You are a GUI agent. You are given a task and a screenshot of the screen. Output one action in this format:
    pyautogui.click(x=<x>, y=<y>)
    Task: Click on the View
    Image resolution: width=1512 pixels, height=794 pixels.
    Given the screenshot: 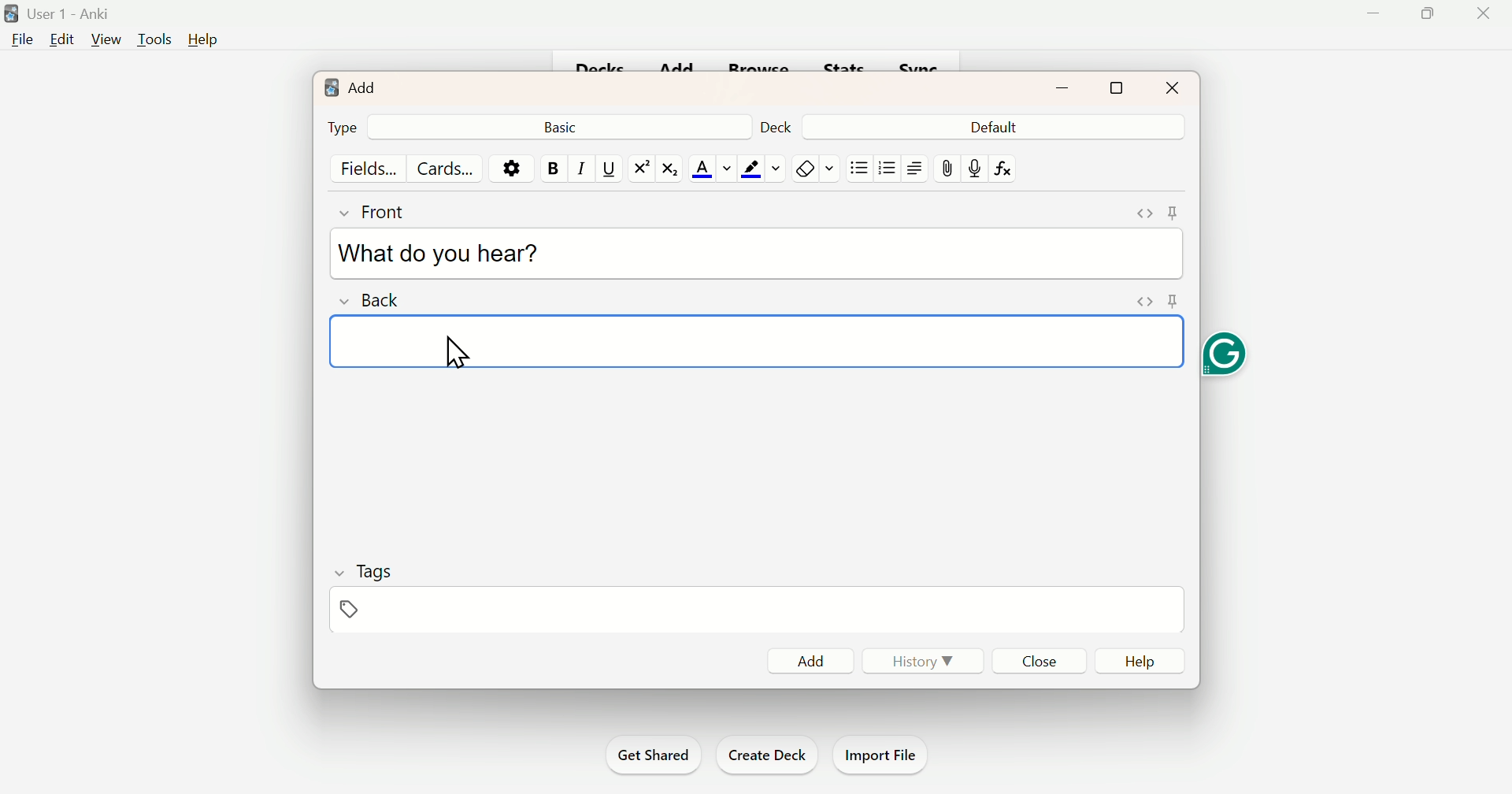 What is the action you would take?
    pyautogui.click(x=104, y=40)
    